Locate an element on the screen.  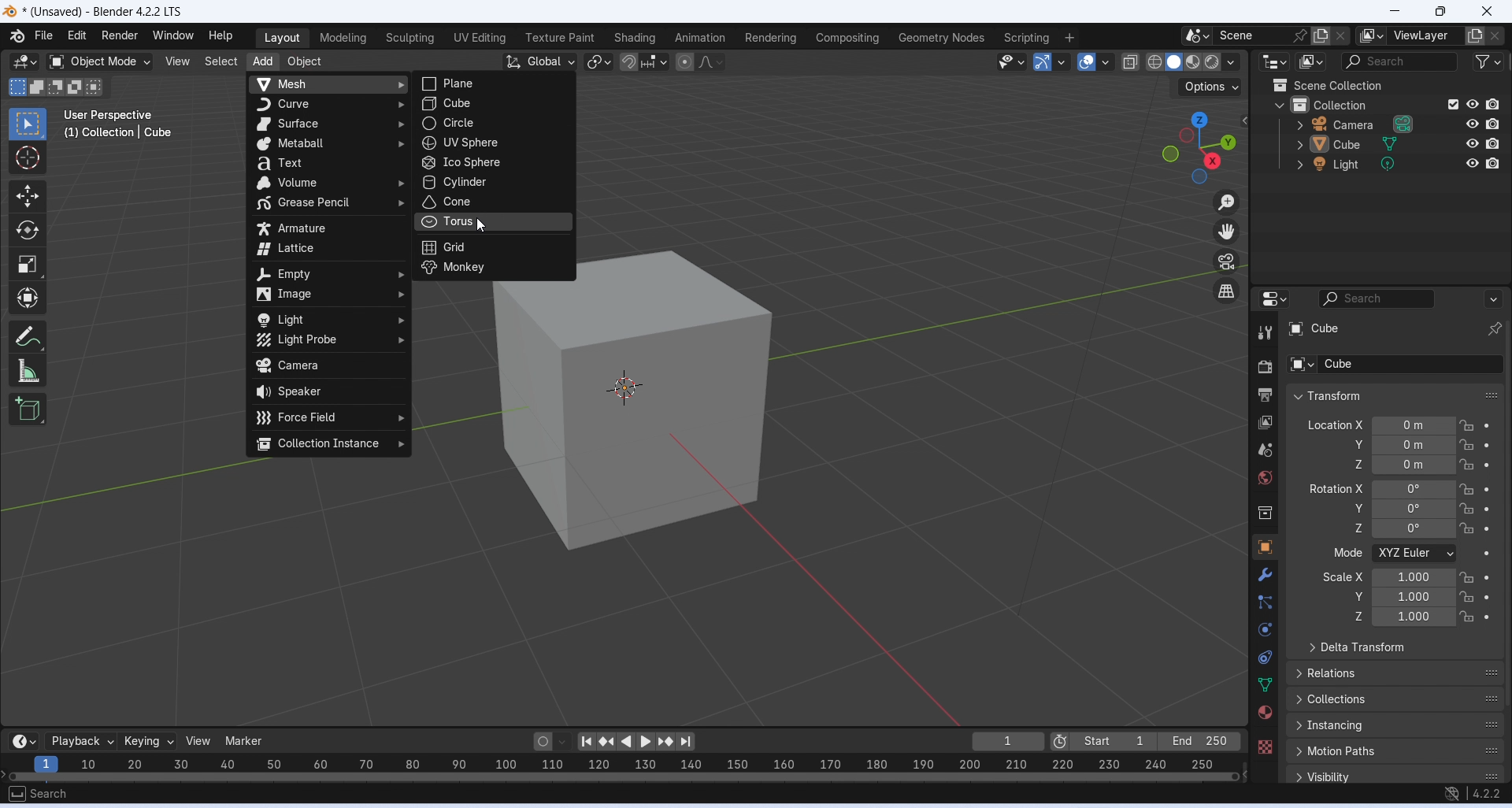
Y axis is located at coordinates (1435, 445).